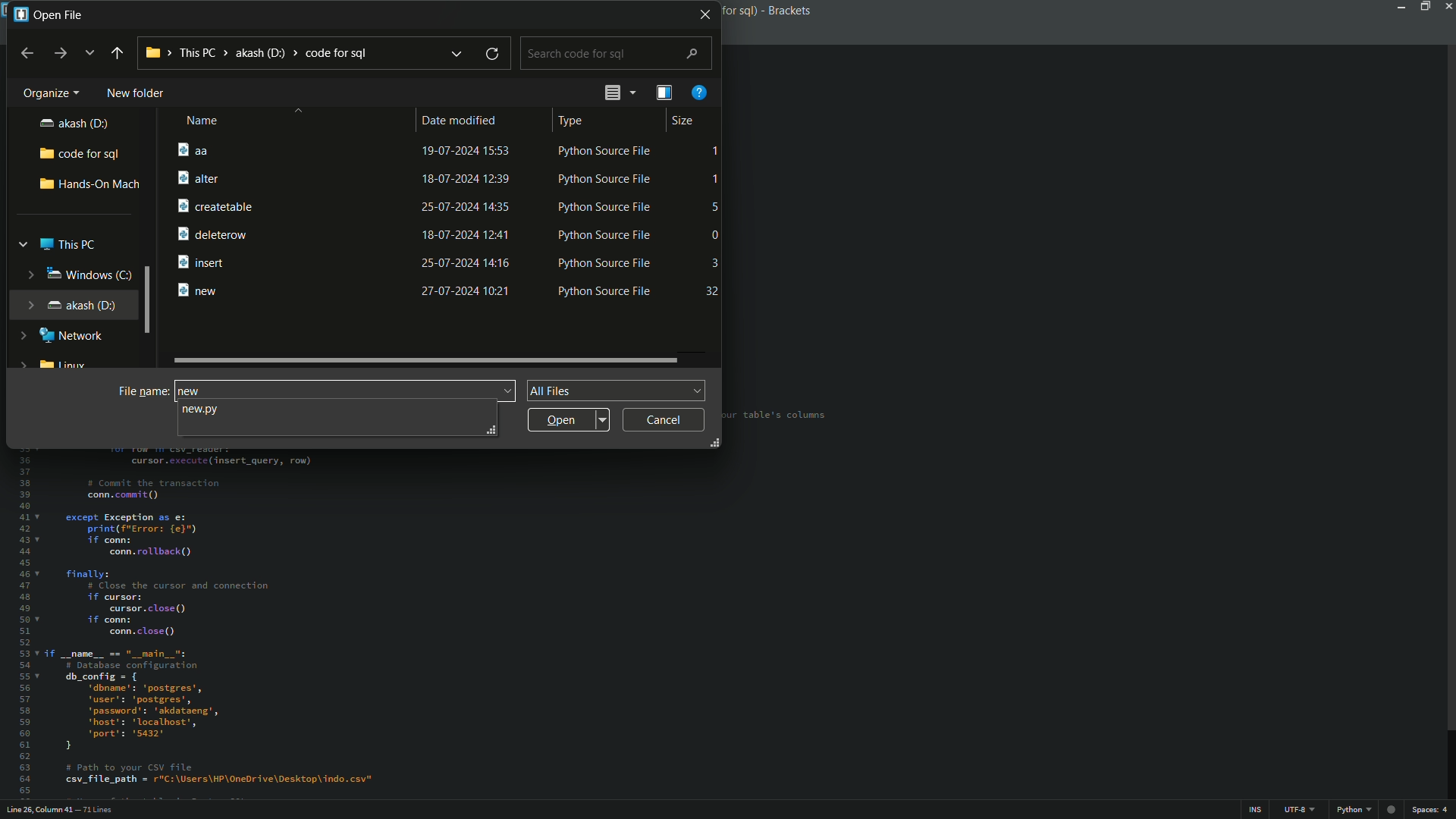 Image resolution: width=1456 pixels, height=819 pixels. What do you see at coordinates (204, 261) in the screenshot?
I see `insert` at bounding box center [204, 261].